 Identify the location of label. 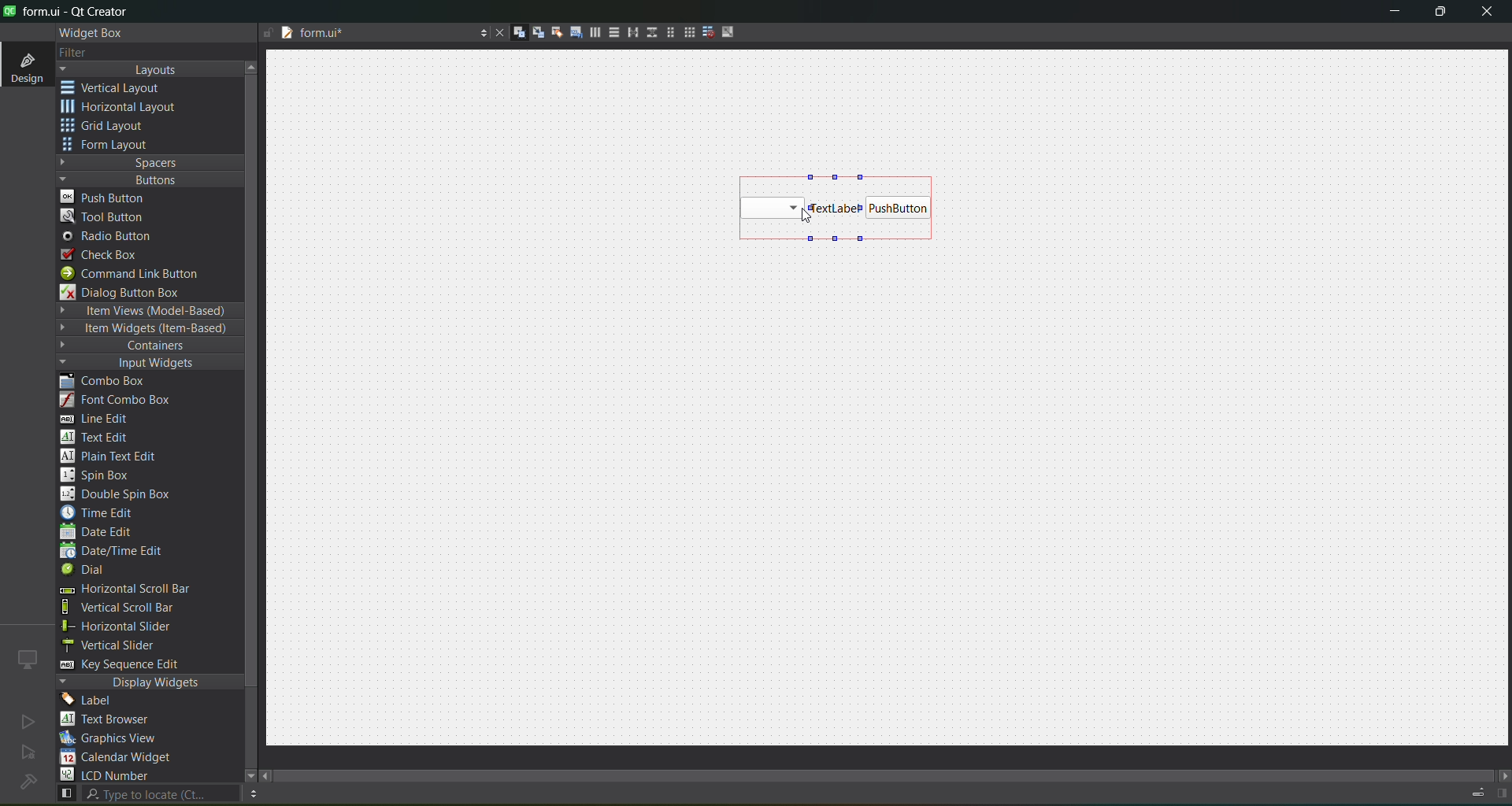
(91, 701).